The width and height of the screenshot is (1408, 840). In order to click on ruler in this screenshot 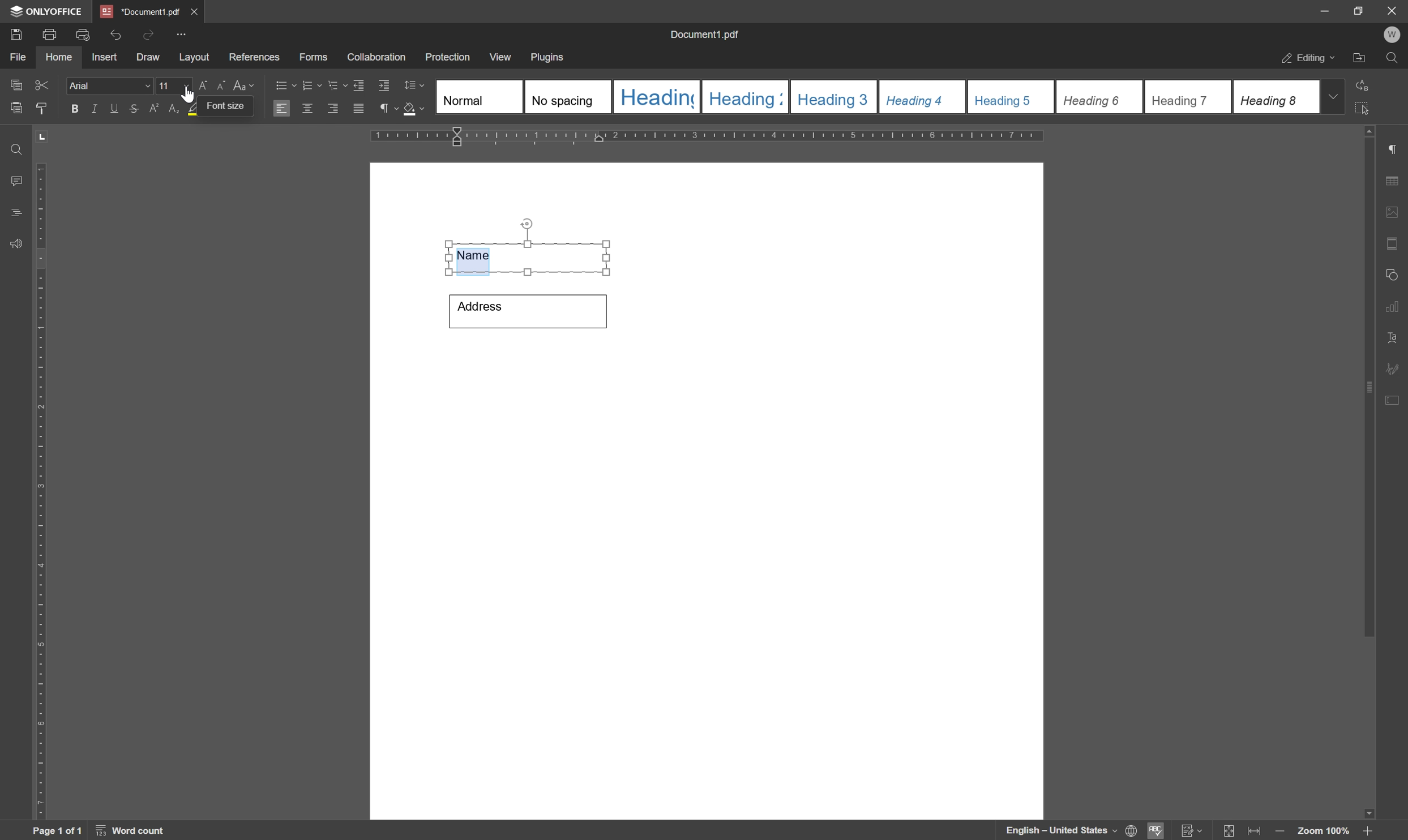, I will do `click(40, 488)`.